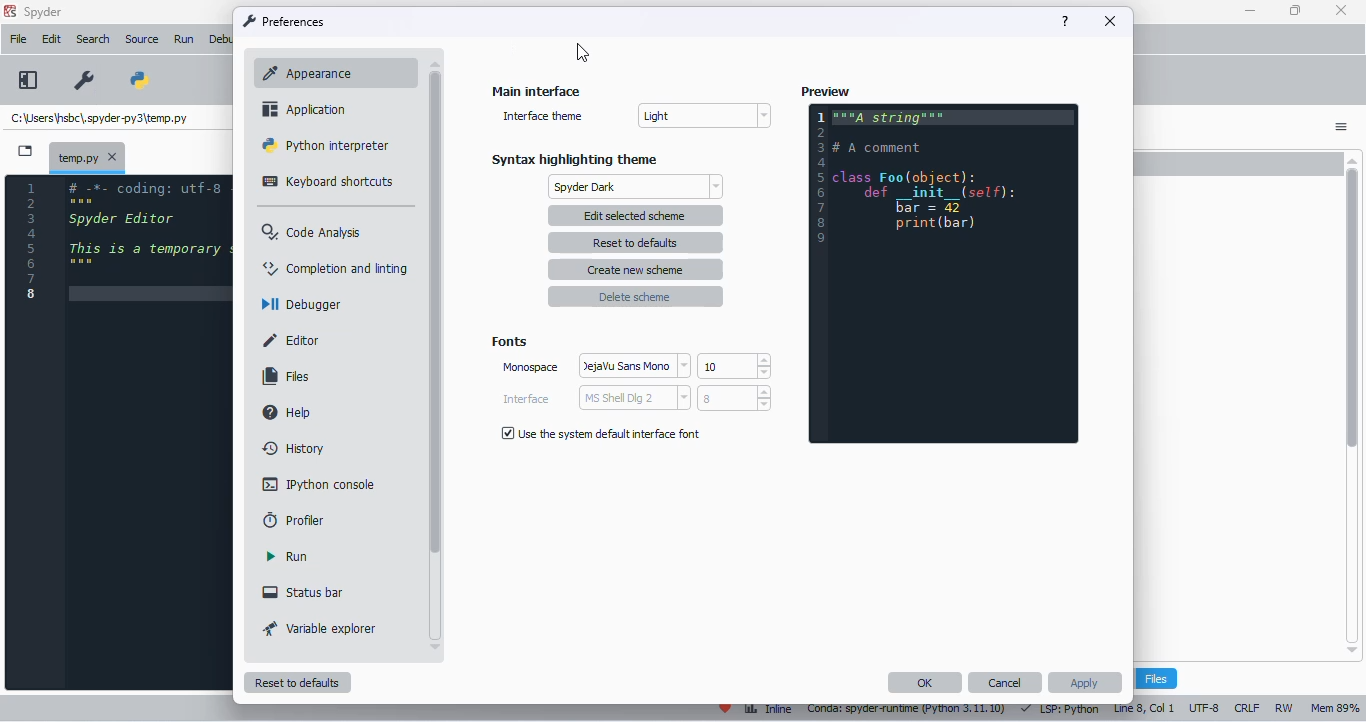  What do you see at coordinates (1205, 709) in the screenshot?
I see `UTF-8` at bounding box center [1205, 709].